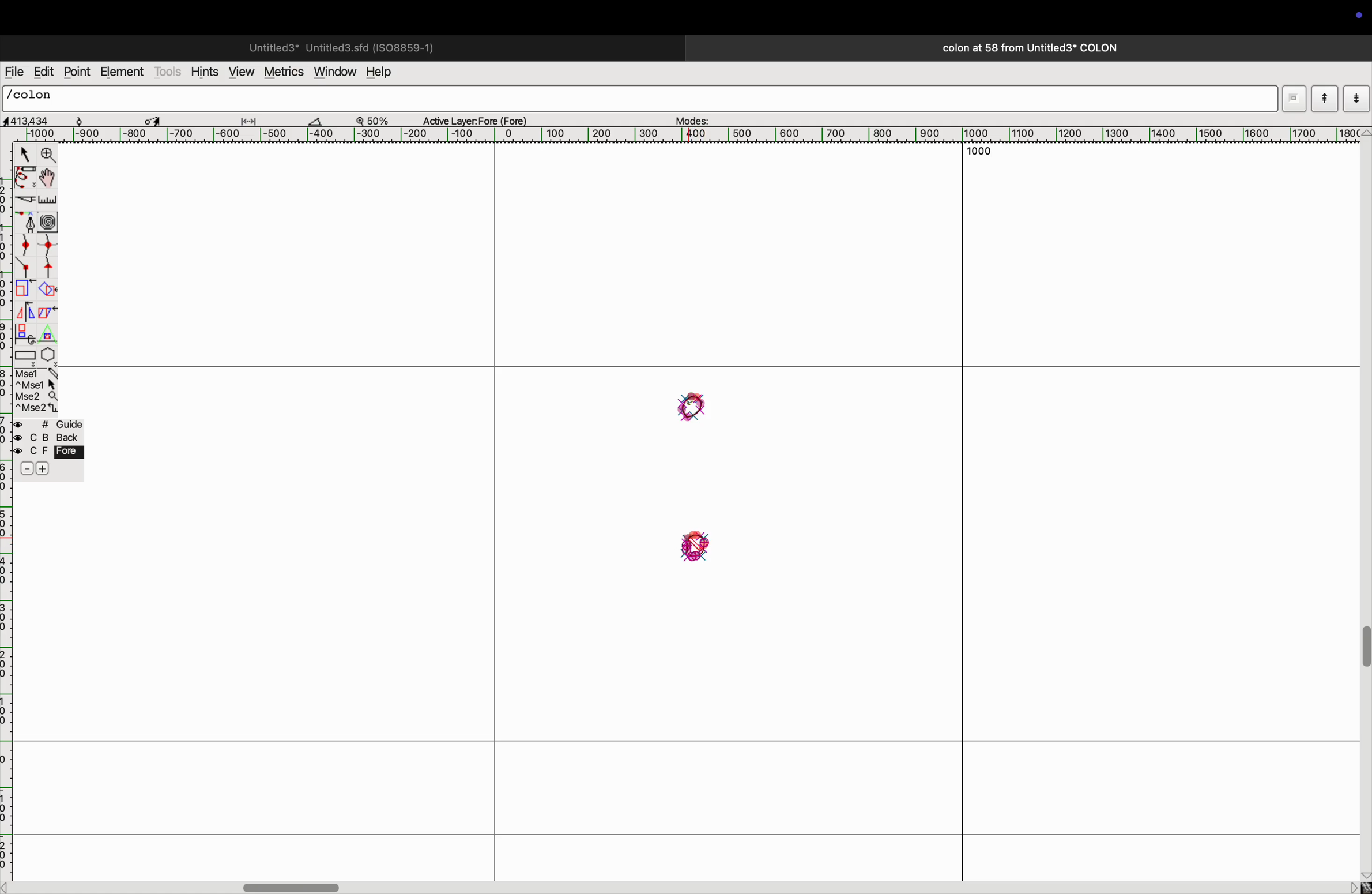 This screenshot has height=894, width=1372. Describe the element at coordinates (25, 354) in the screenshot. I see `rectangle` at that location.